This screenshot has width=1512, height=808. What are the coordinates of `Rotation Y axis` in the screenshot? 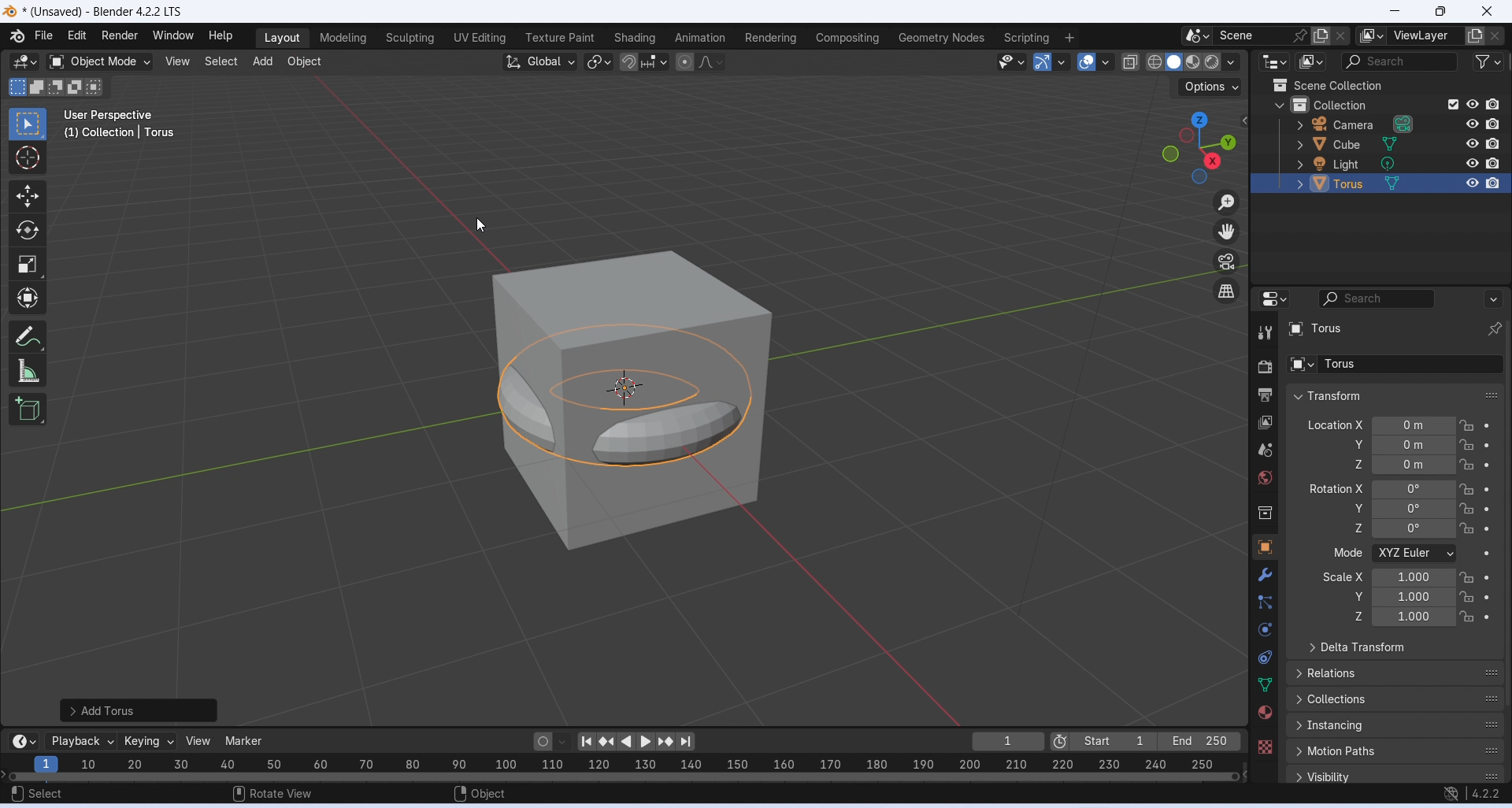 It's located at (1358, 509).